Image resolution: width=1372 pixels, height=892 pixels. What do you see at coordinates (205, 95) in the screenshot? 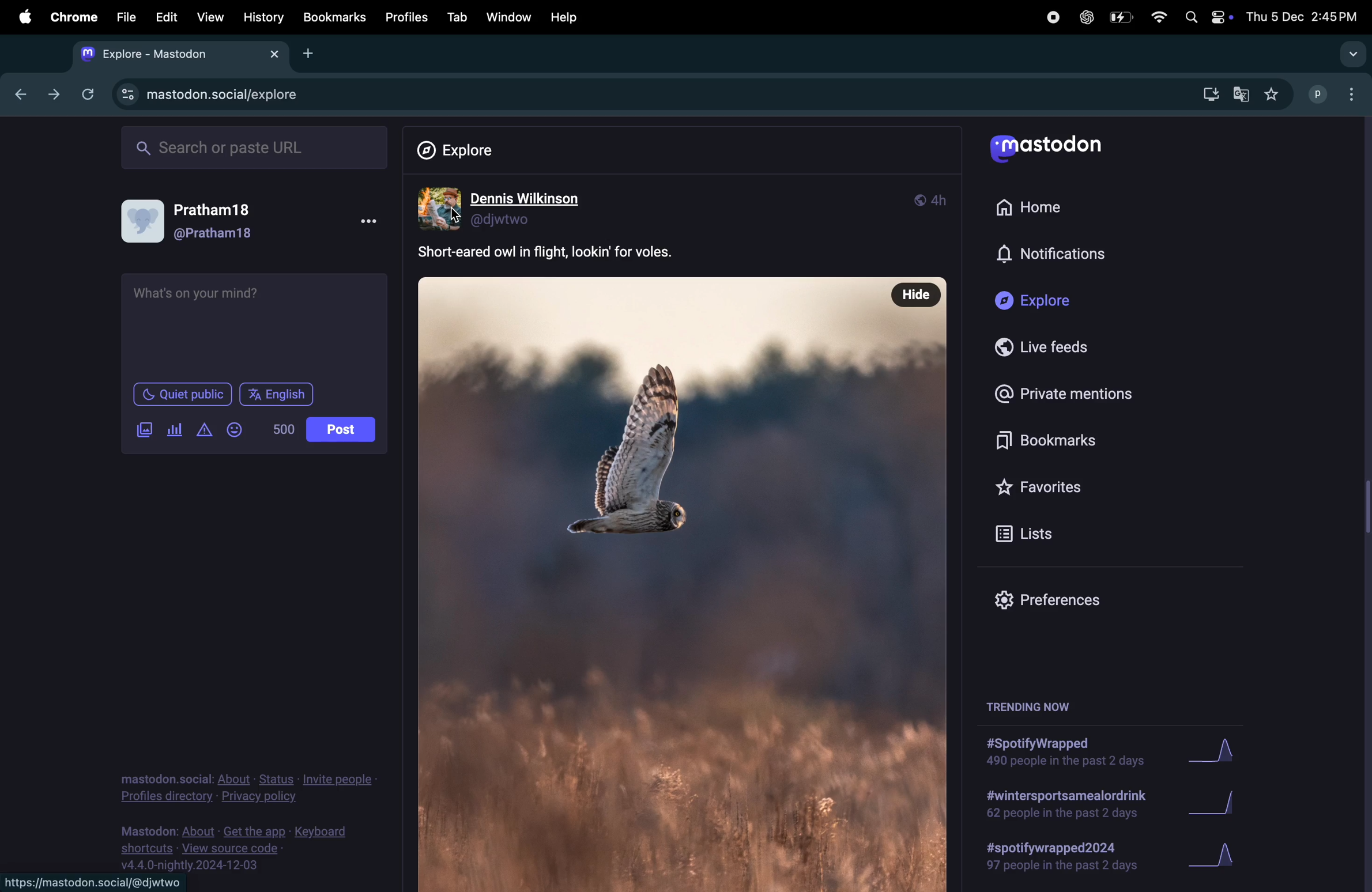
I see `mastodn url` at bounding box center [205, 95].